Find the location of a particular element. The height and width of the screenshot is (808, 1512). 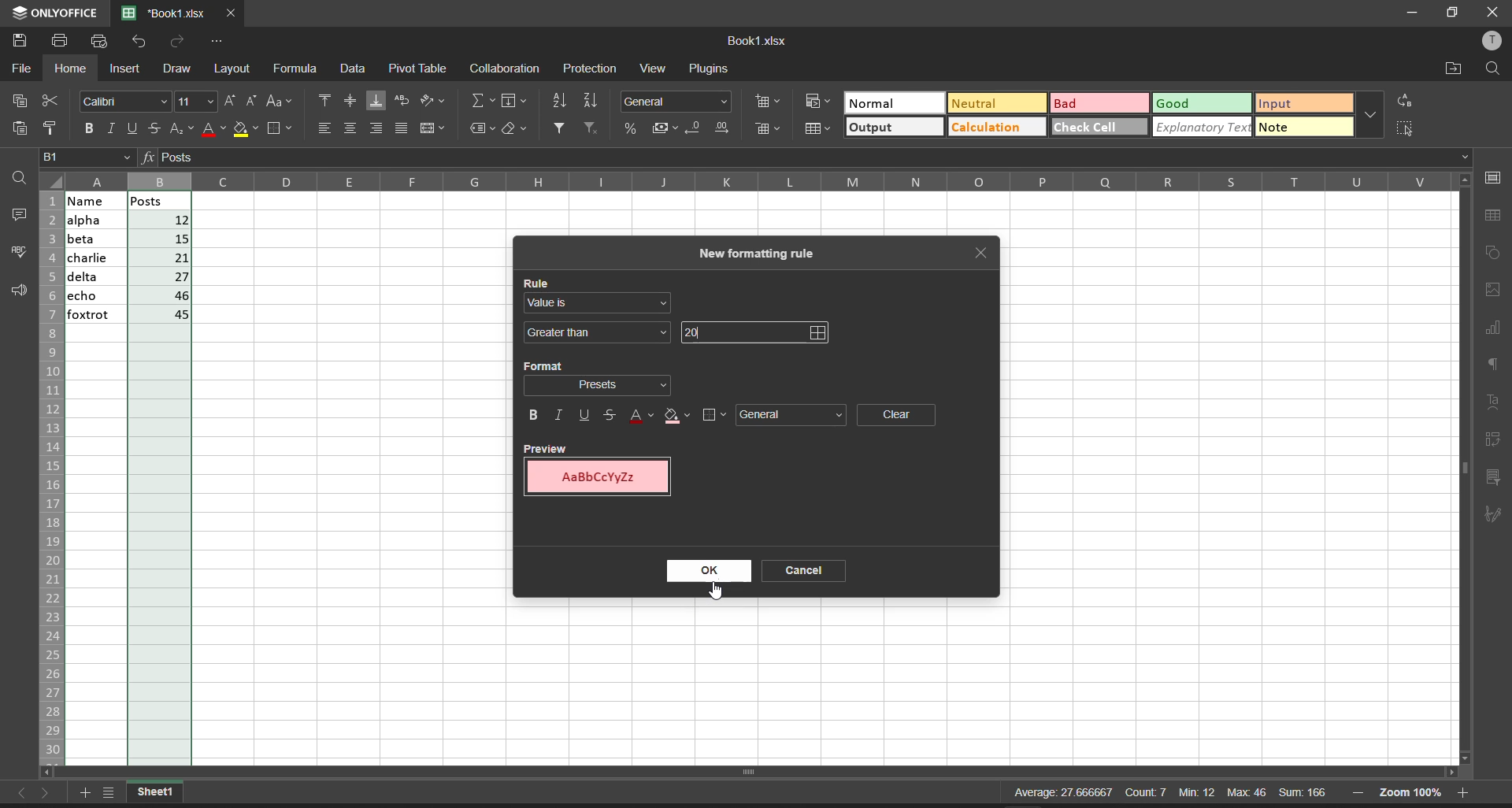

orientation is located at coordinates (437, 99).